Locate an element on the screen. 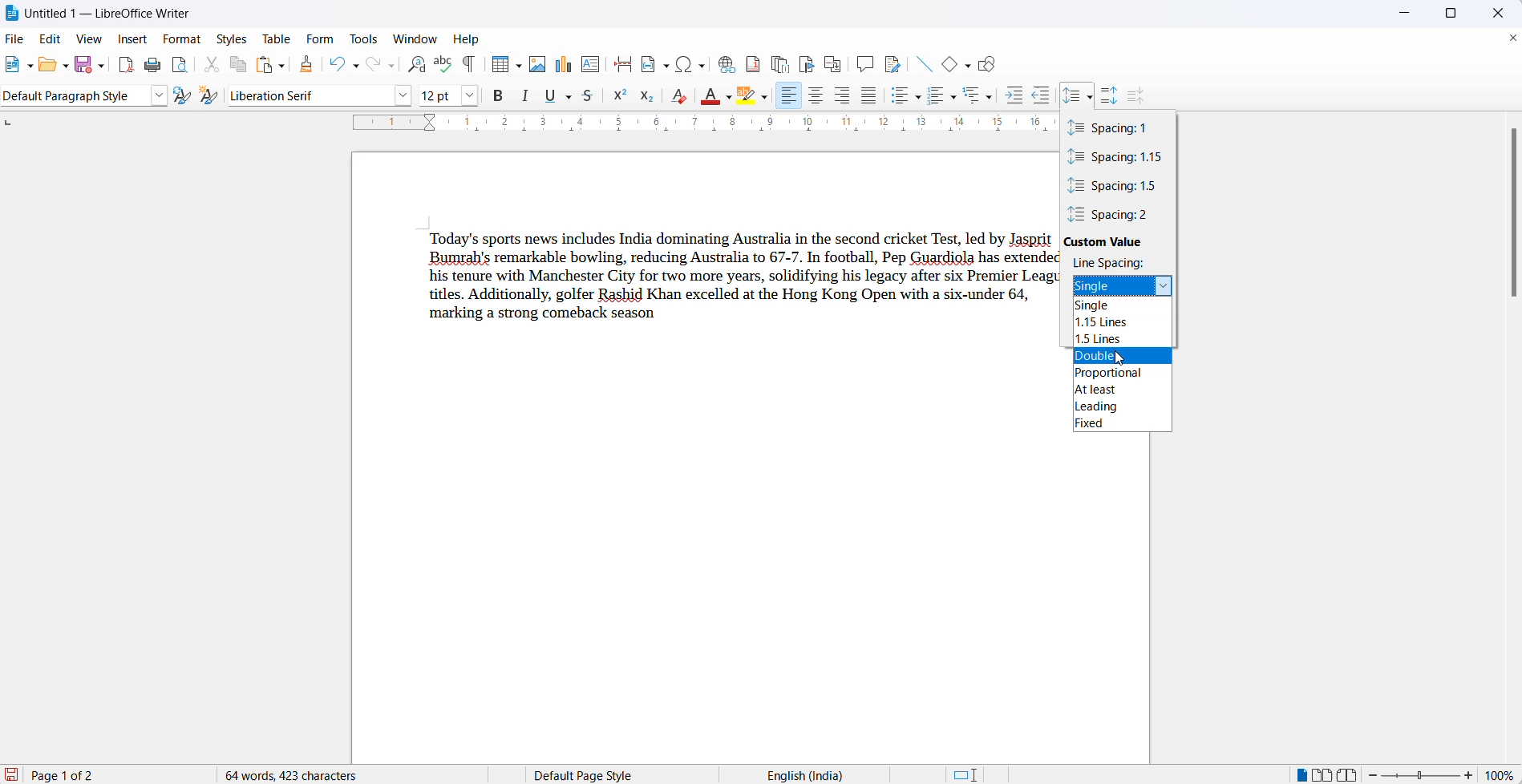 Image resolution: width=1522 pixels, height=784 pixels. B is located at coordinates (500, 96).